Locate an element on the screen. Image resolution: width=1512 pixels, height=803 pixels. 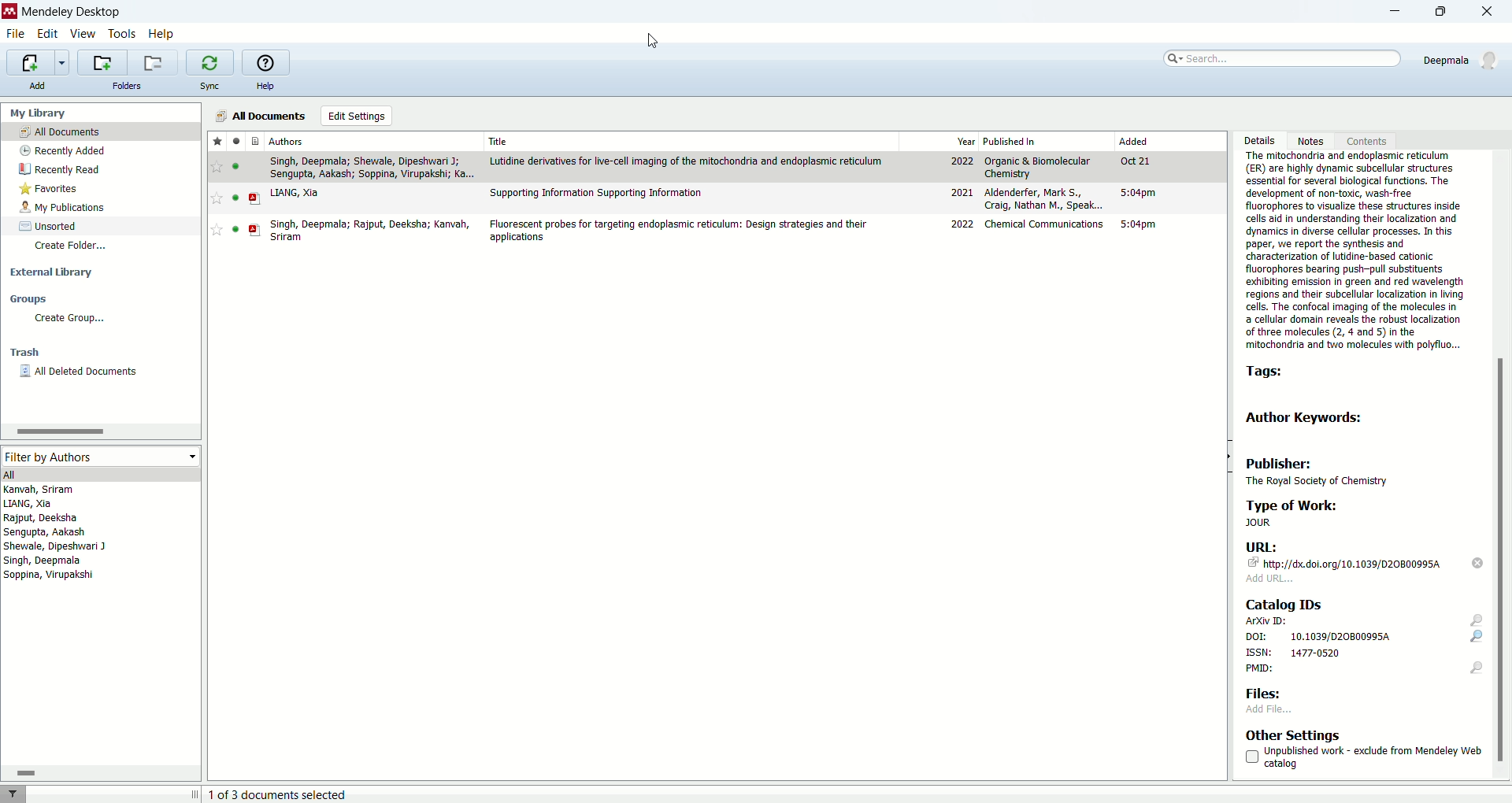
all documents is located at coordinates (258, 116).